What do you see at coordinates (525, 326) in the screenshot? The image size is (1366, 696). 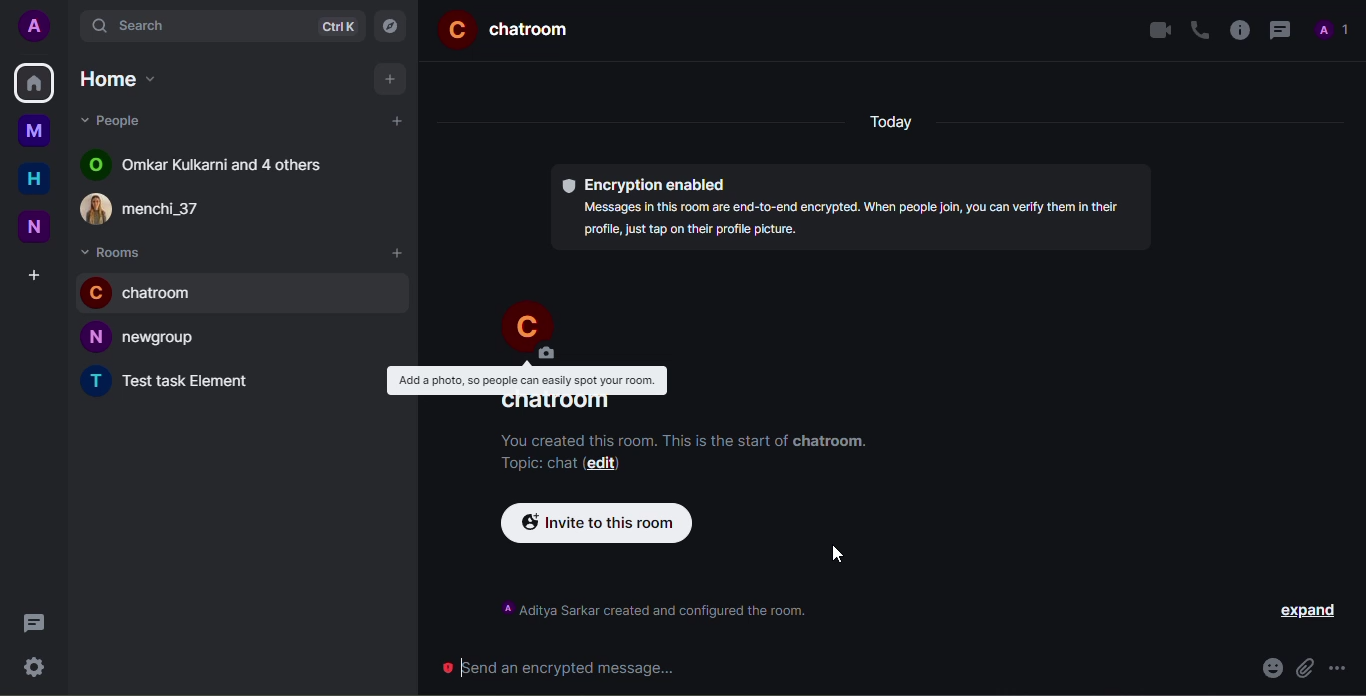 I see `profile pic` at bounding box center [525, 326].